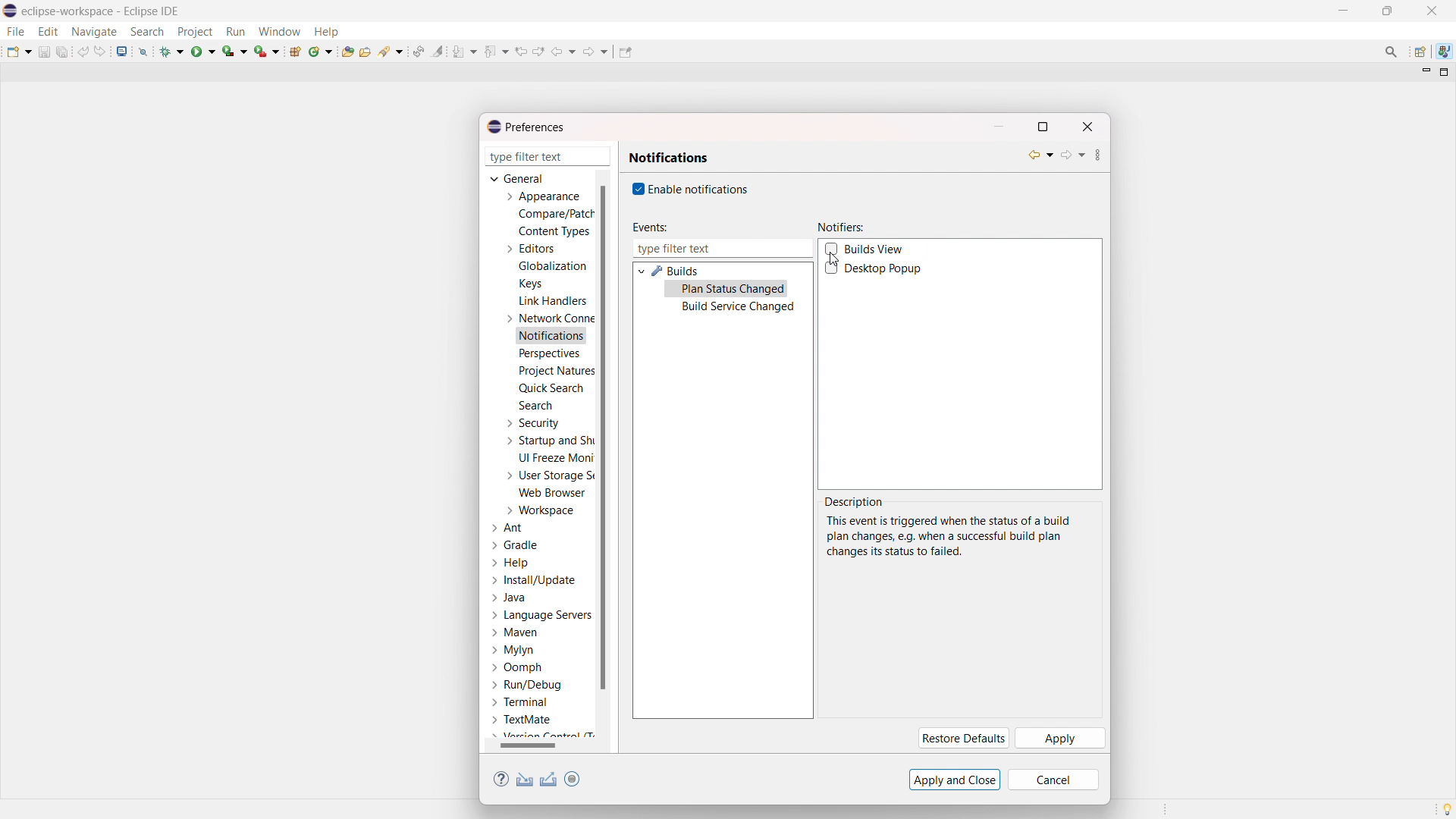 The height and width of the screenshot is (819, 1456). What do you see at coordinates (501, 780) in the screenshot?
I see `help` at bounding box center [501, 780].